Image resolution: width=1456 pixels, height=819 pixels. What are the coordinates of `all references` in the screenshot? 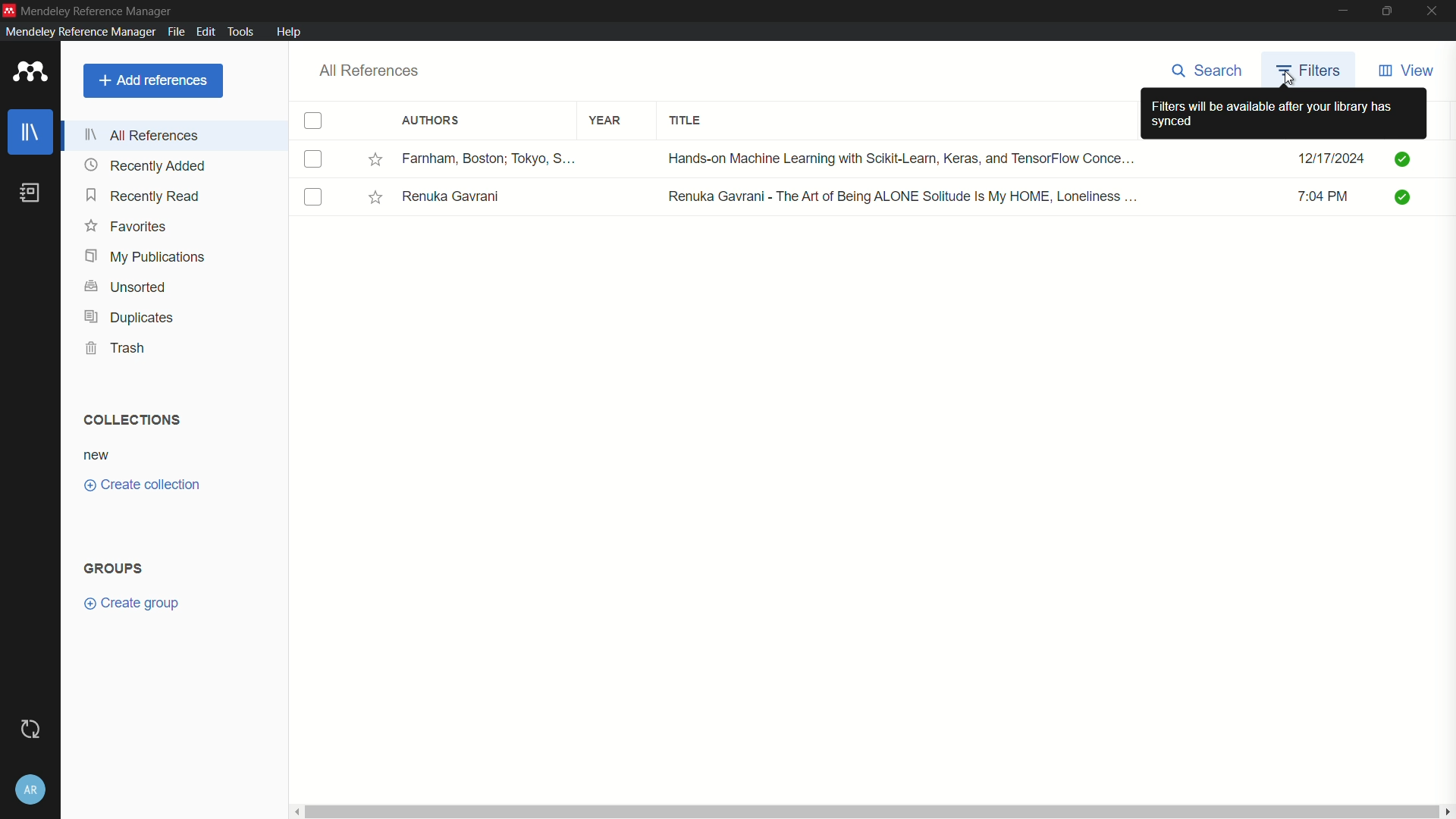 It's located at (370, 71).